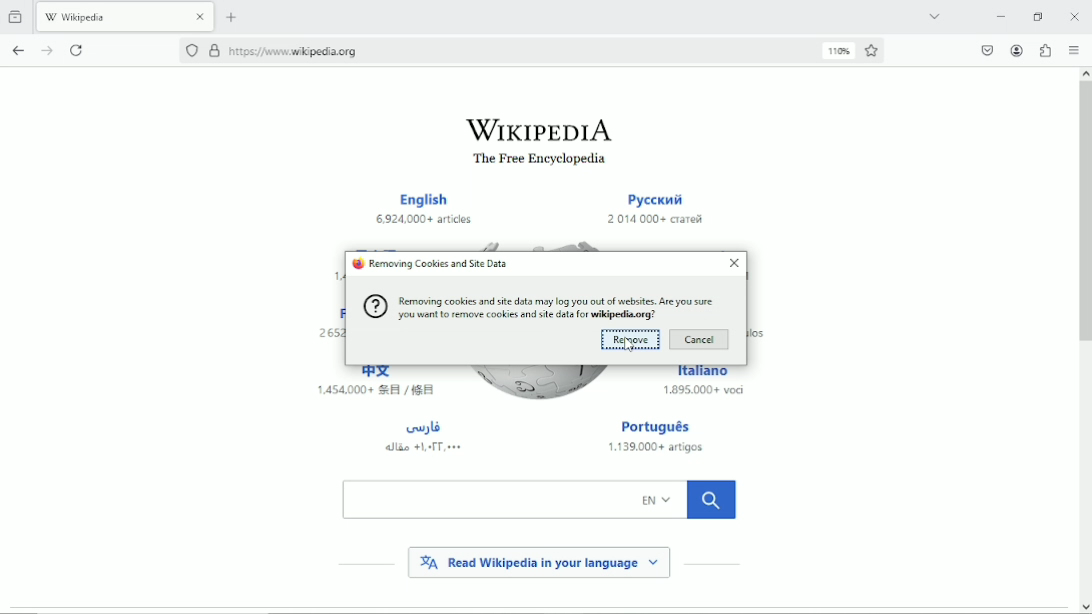 This screenshot has height=614, width=1092. I want to click on cursor, so click(628, 345).